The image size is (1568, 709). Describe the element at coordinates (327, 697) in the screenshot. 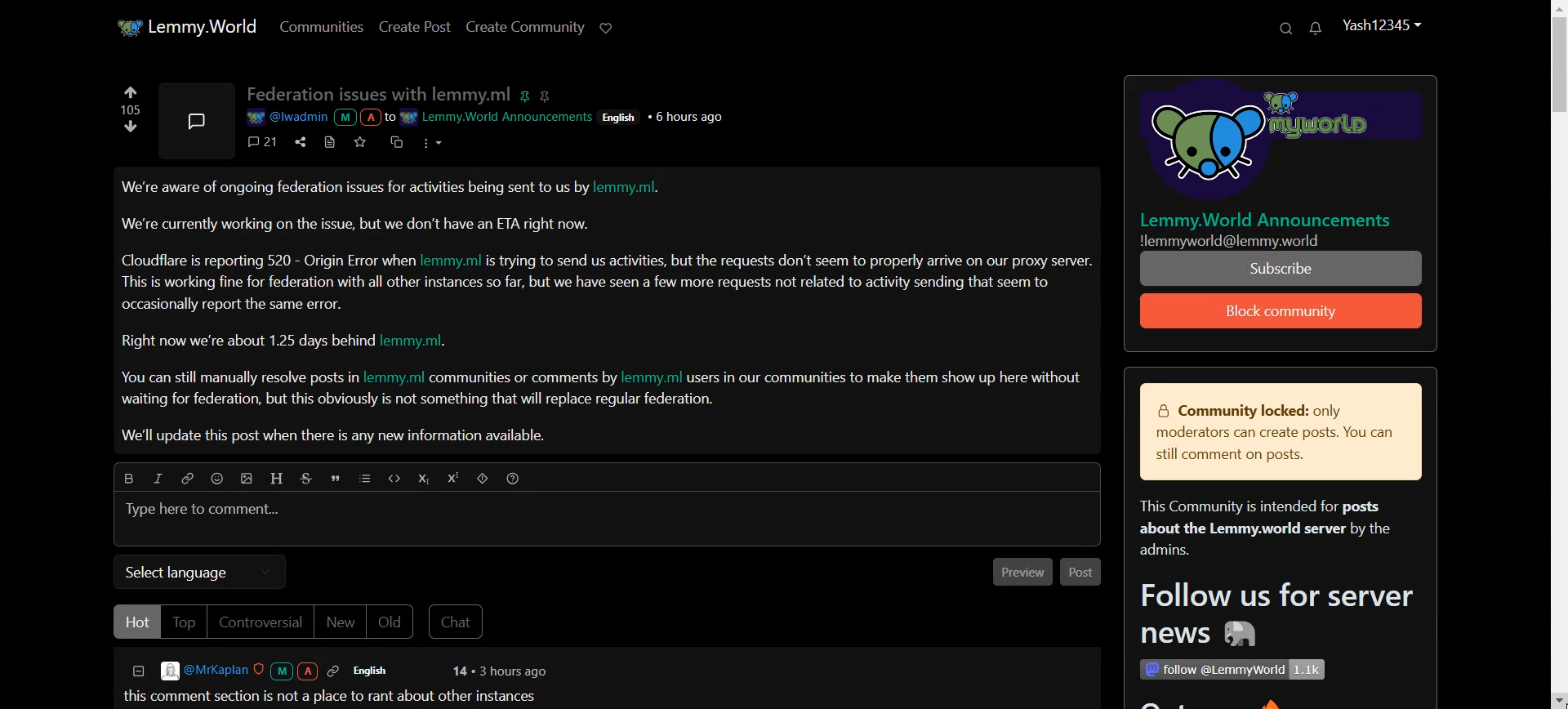

I see `this comment section is not a place to rant about other instances` at that location.